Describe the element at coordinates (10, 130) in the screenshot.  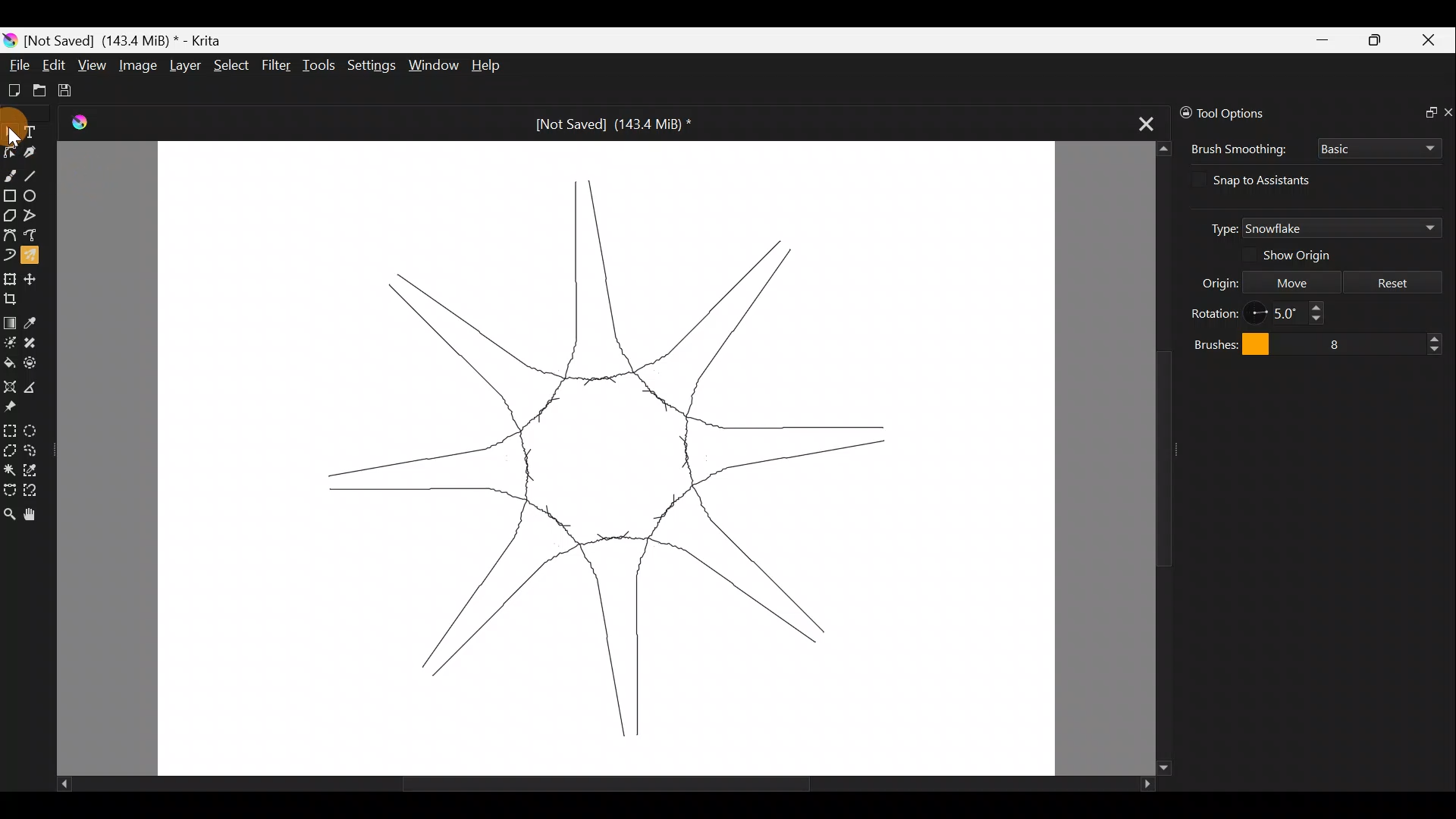
I see `Select shapes tool` at that location.